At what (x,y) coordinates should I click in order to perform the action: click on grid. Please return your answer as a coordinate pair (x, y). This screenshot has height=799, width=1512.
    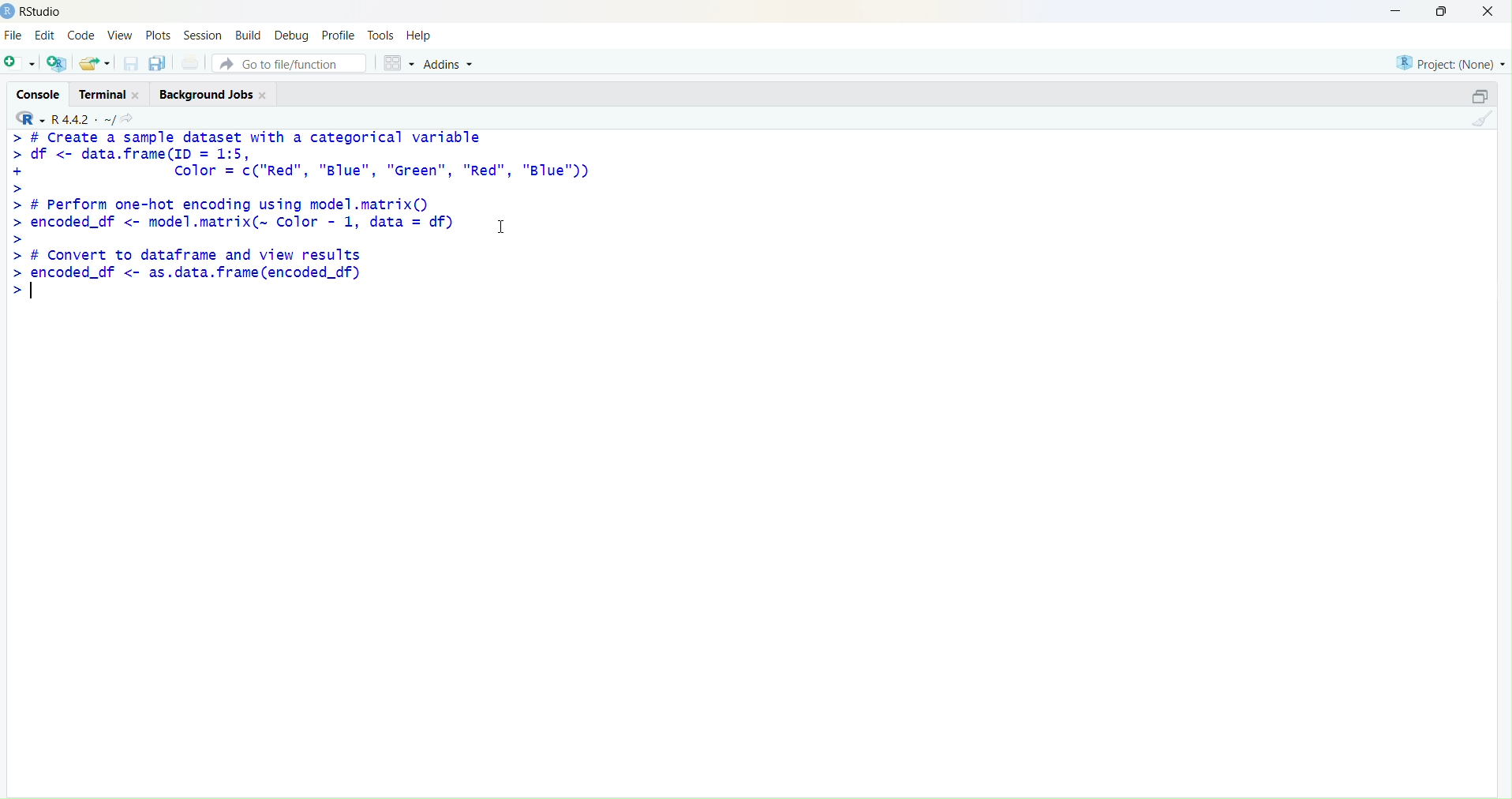
    Looking at the image, I should click on (399, 63).